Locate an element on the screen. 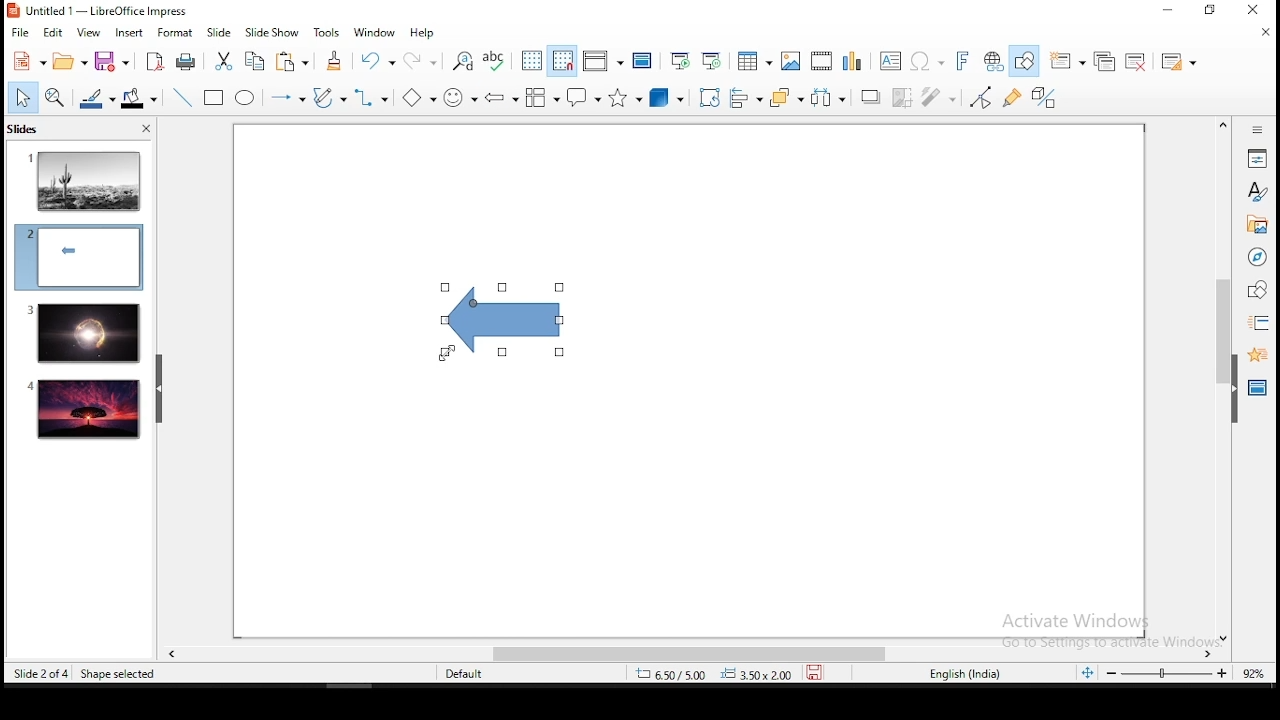 This screenshot has width=1280, height=720. styles is located at coordinates (1257, 191).